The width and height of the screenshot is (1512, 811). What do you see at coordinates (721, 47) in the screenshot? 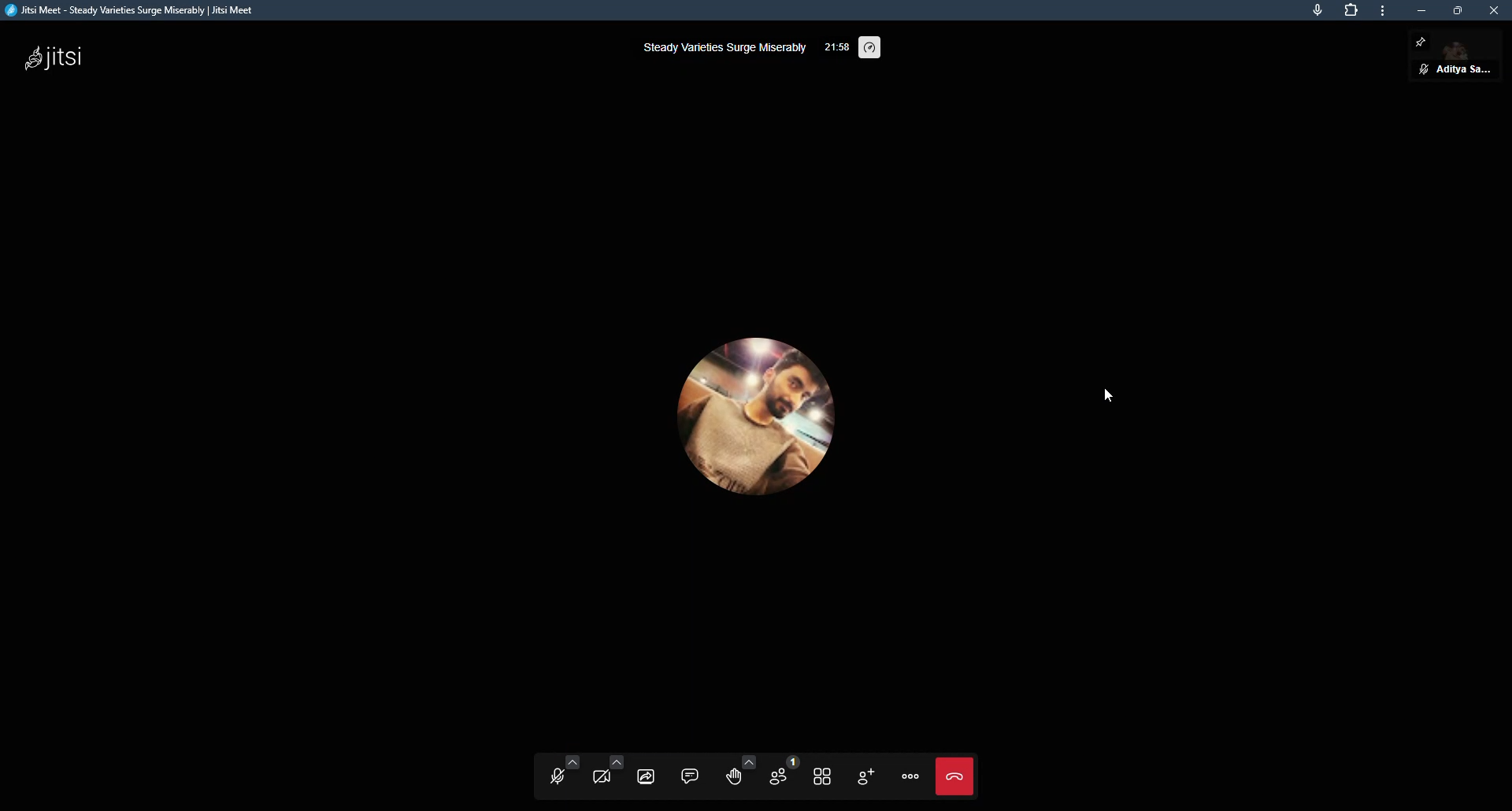
I see `steady varieties surge miserably` at bounding box center [721, 47].